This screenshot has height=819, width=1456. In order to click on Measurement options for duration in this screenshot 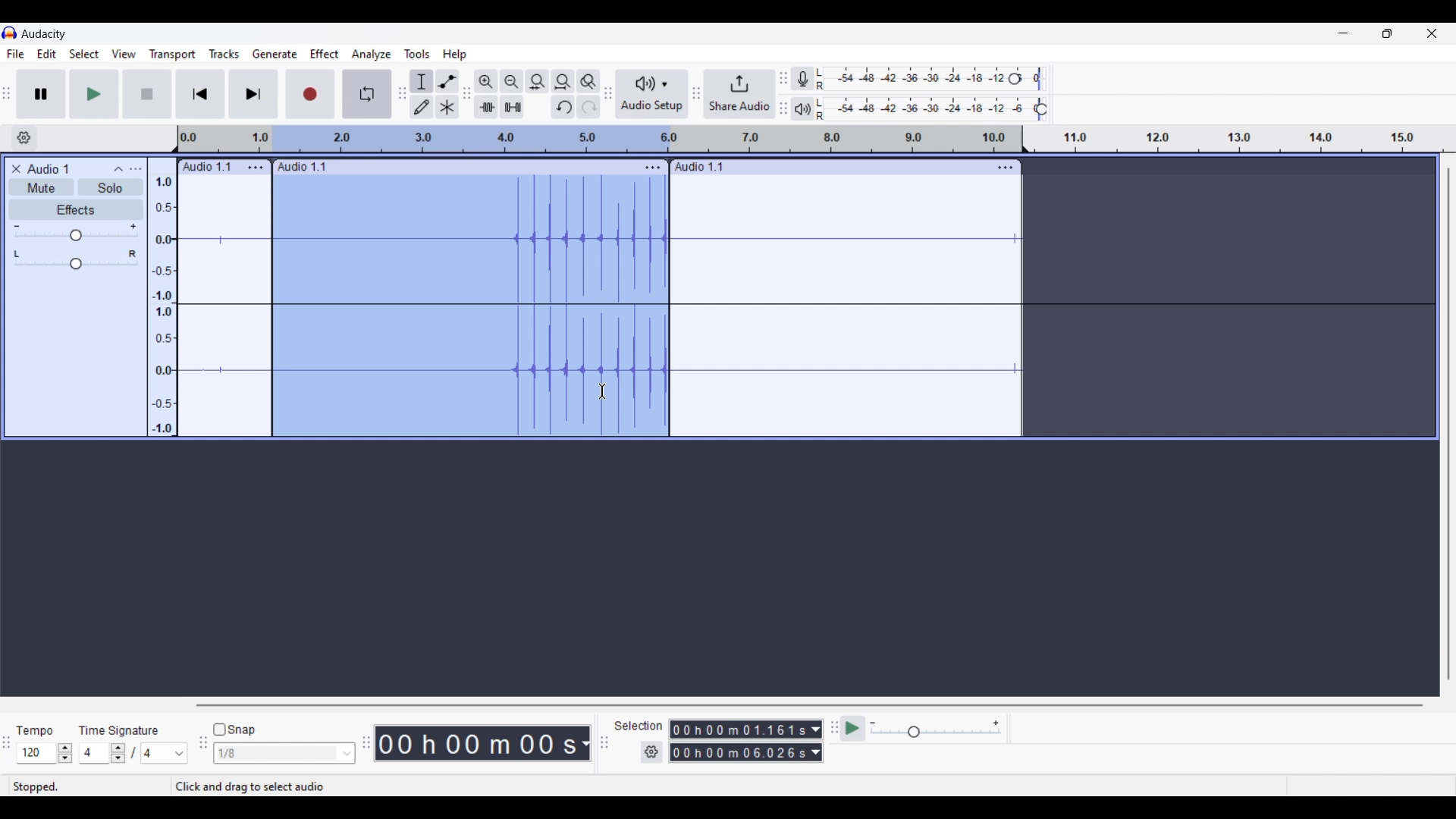, I will do `click(584, 744)`.